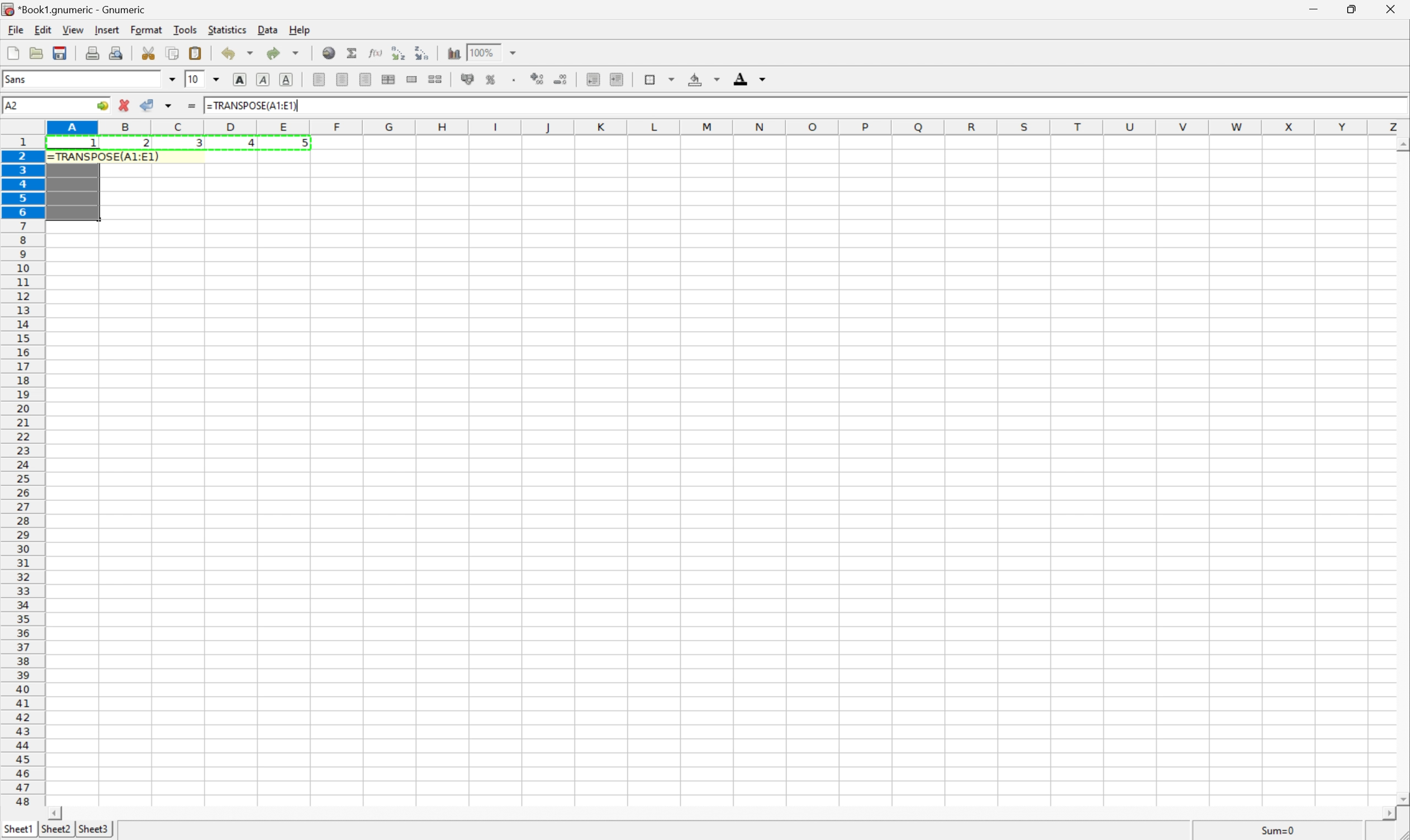  Describe the element at coordinates (254, 106) in the screenshot. I see `=TRANSPOSE(A1:E1)` at that location.